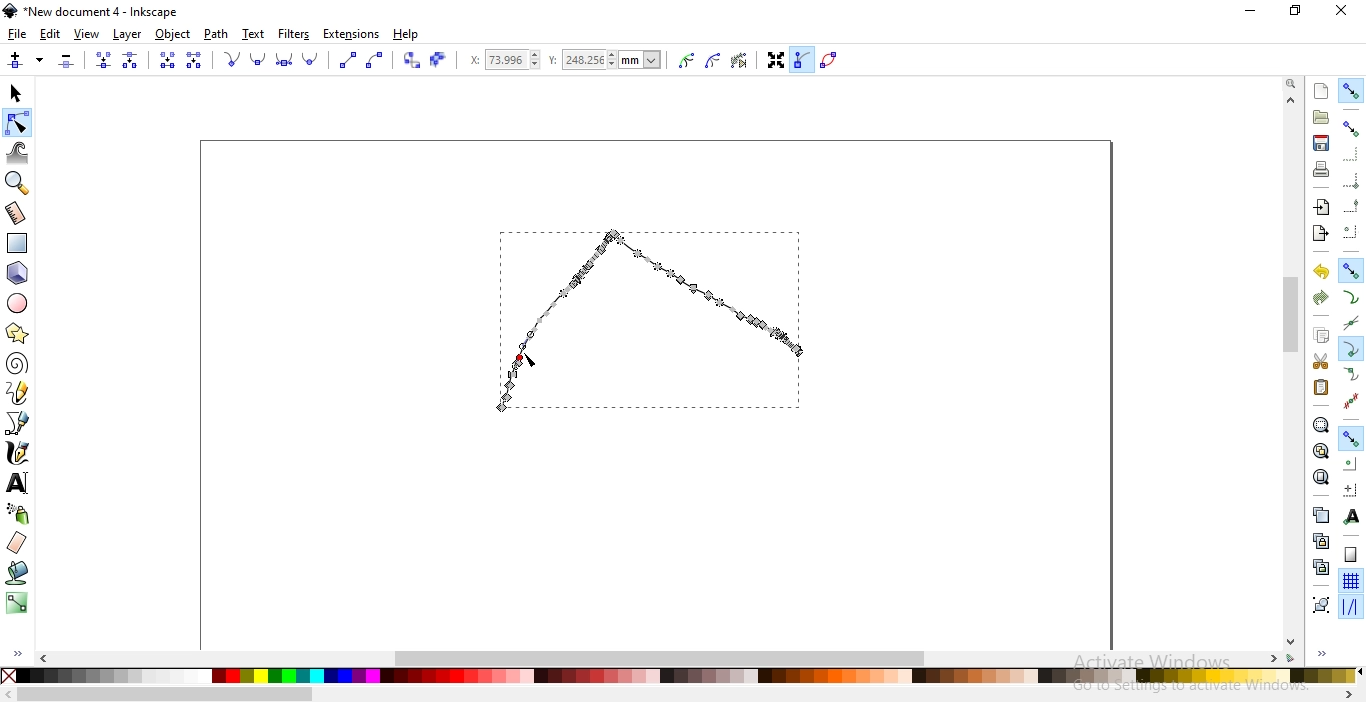  What do you see at coordinates (102, 12) in the screenshot?
I see `new document 4 - Inkscape` at bounding box center [102, 12].